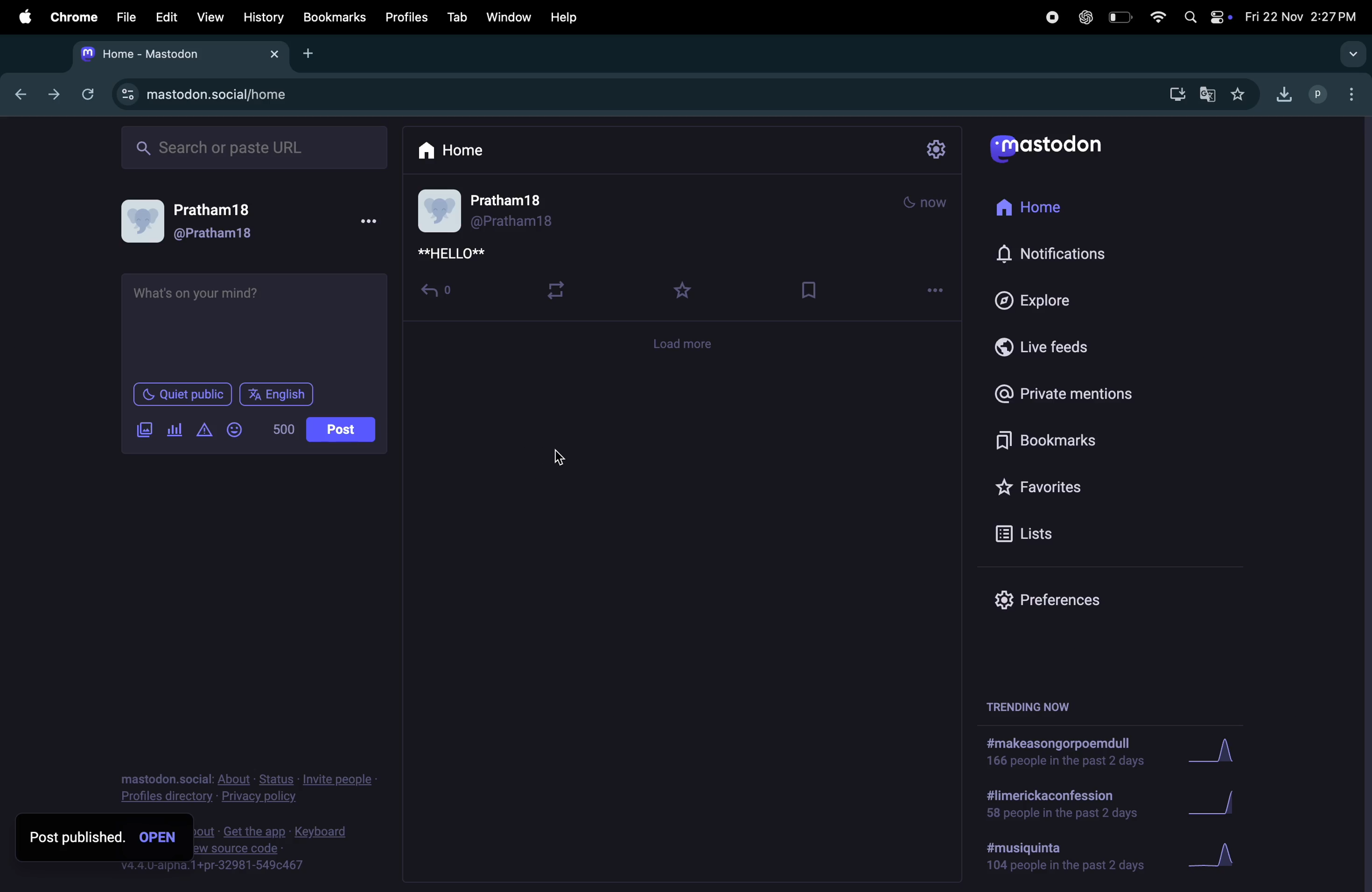  What do you see at coordinates (1065, 858) in the screenshot?
I see `hashtag` at bounding box center [1065, 858].